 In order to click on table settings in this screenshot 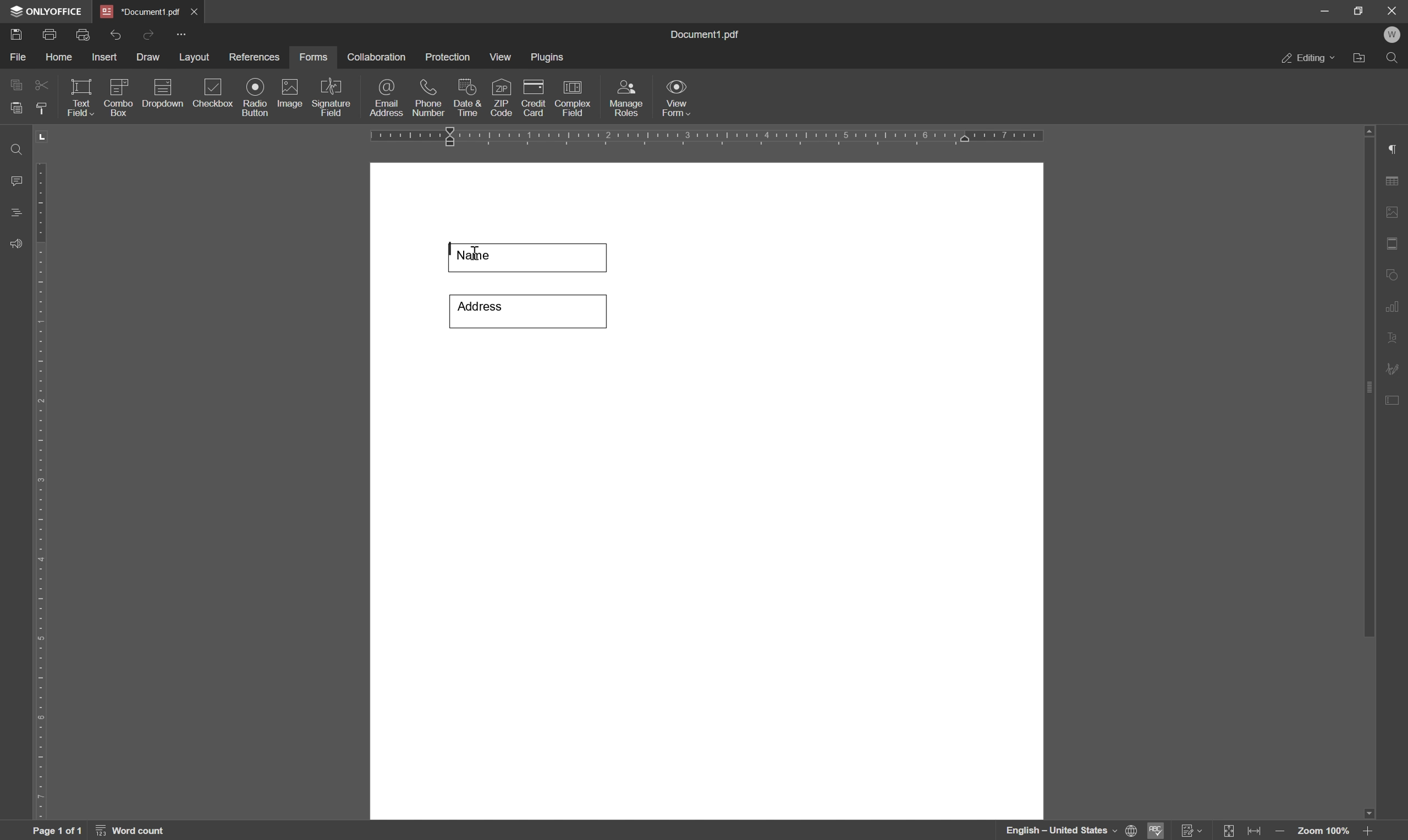, I will do `click(1396, 182)`.